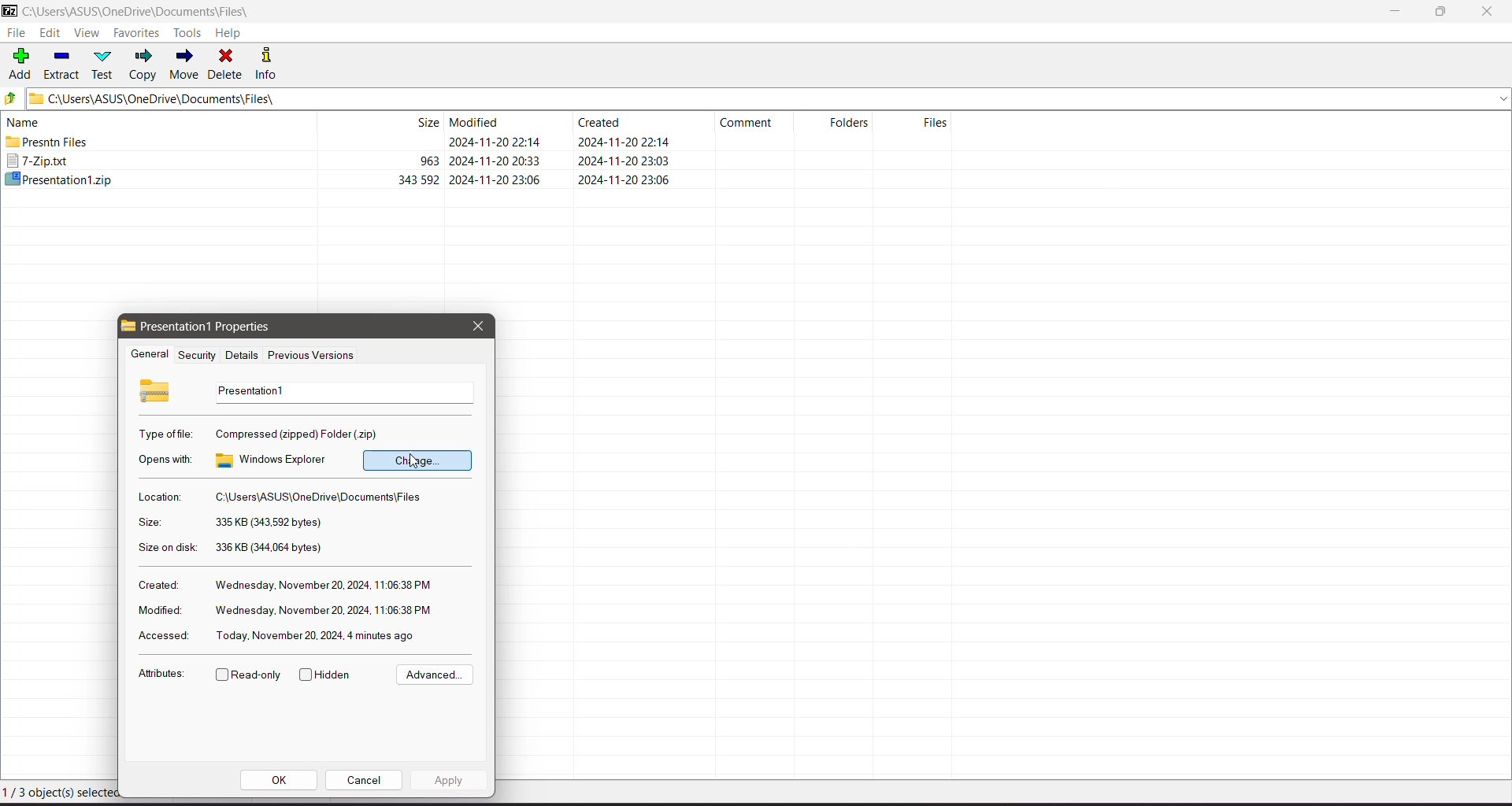 The height and width of the screenshot is (806, 1512). Describe the element at coordinates (312, 357) in the screenshot. I see `Previous Versions` at that location.